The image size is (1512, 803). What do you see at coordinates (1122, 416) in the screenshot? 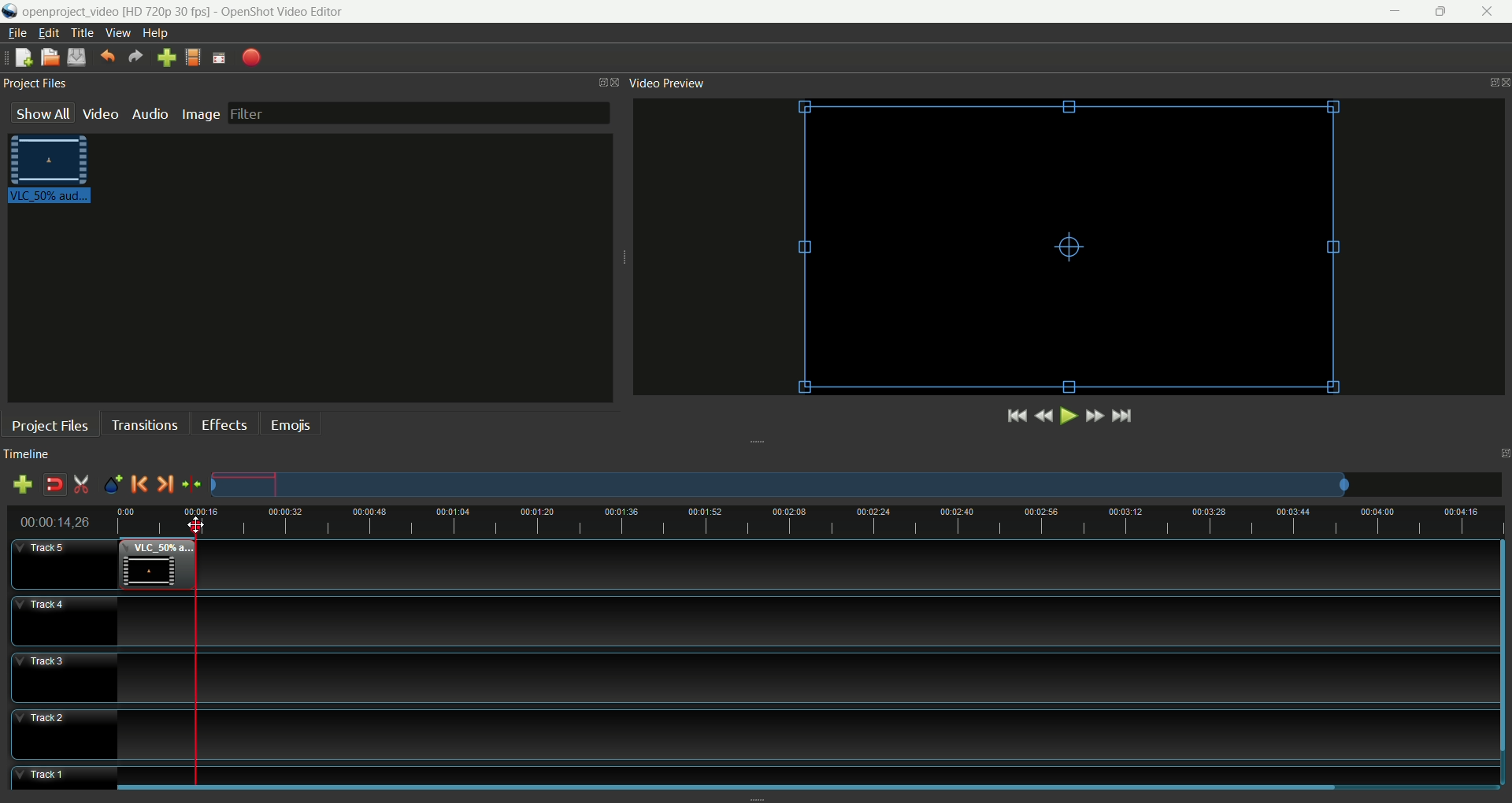
I see `jump to the end` at bounding box center [1122, 416].